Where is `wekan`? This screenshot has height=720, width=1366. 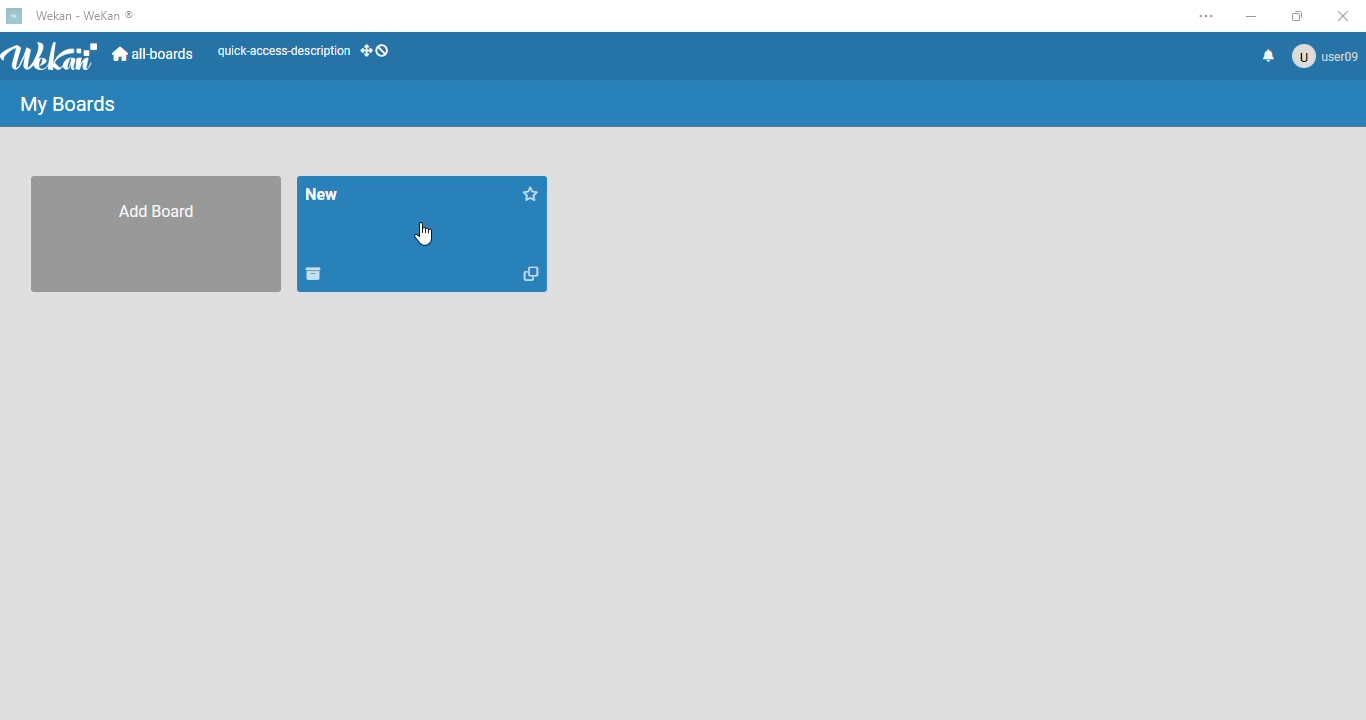
wekan is located at coordinates (52, 54).